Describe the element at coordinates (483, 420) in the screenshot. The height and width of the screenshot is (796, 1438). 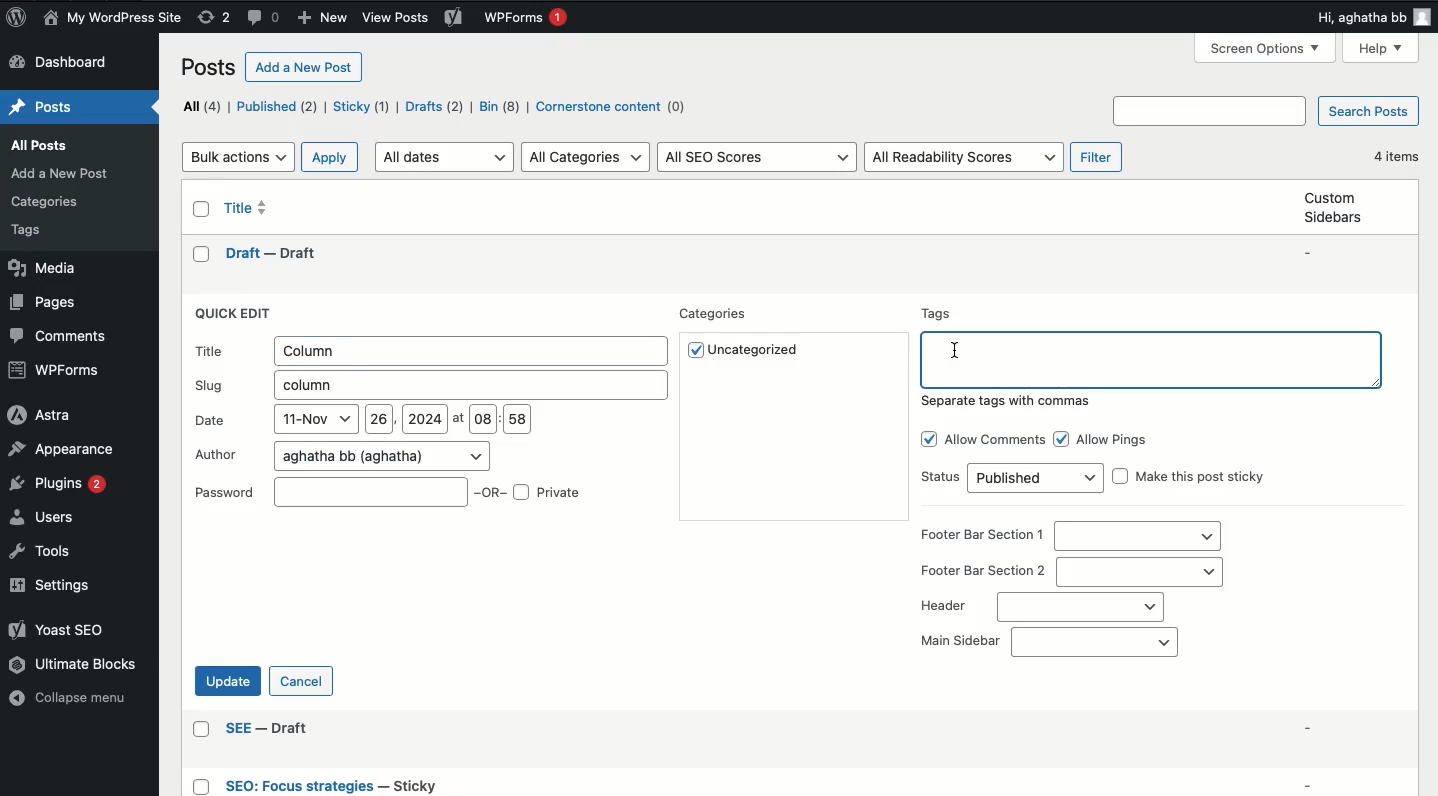
I see `08` at that location.